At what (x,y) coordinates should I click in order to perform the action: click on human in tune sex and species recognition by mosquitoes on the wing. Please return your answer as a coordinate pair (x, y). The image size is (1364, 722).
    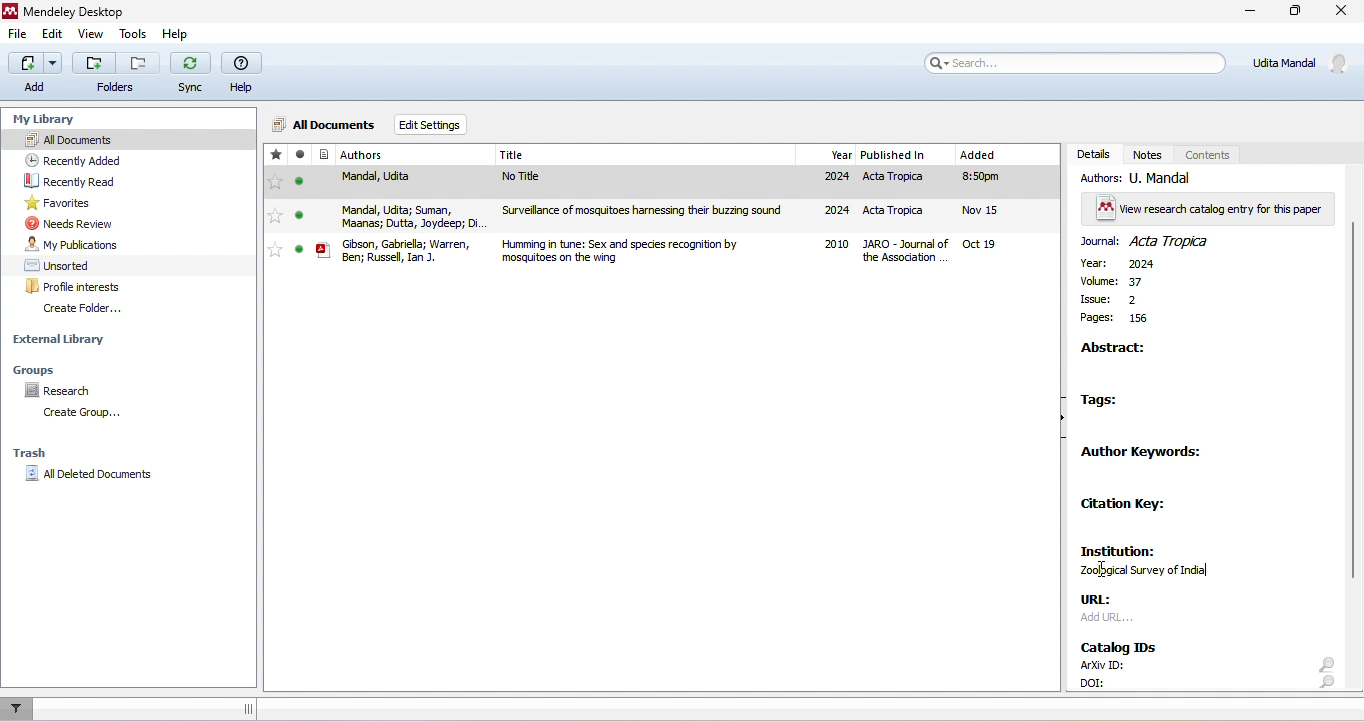
    Looking at the image, I should click on (650, 250).